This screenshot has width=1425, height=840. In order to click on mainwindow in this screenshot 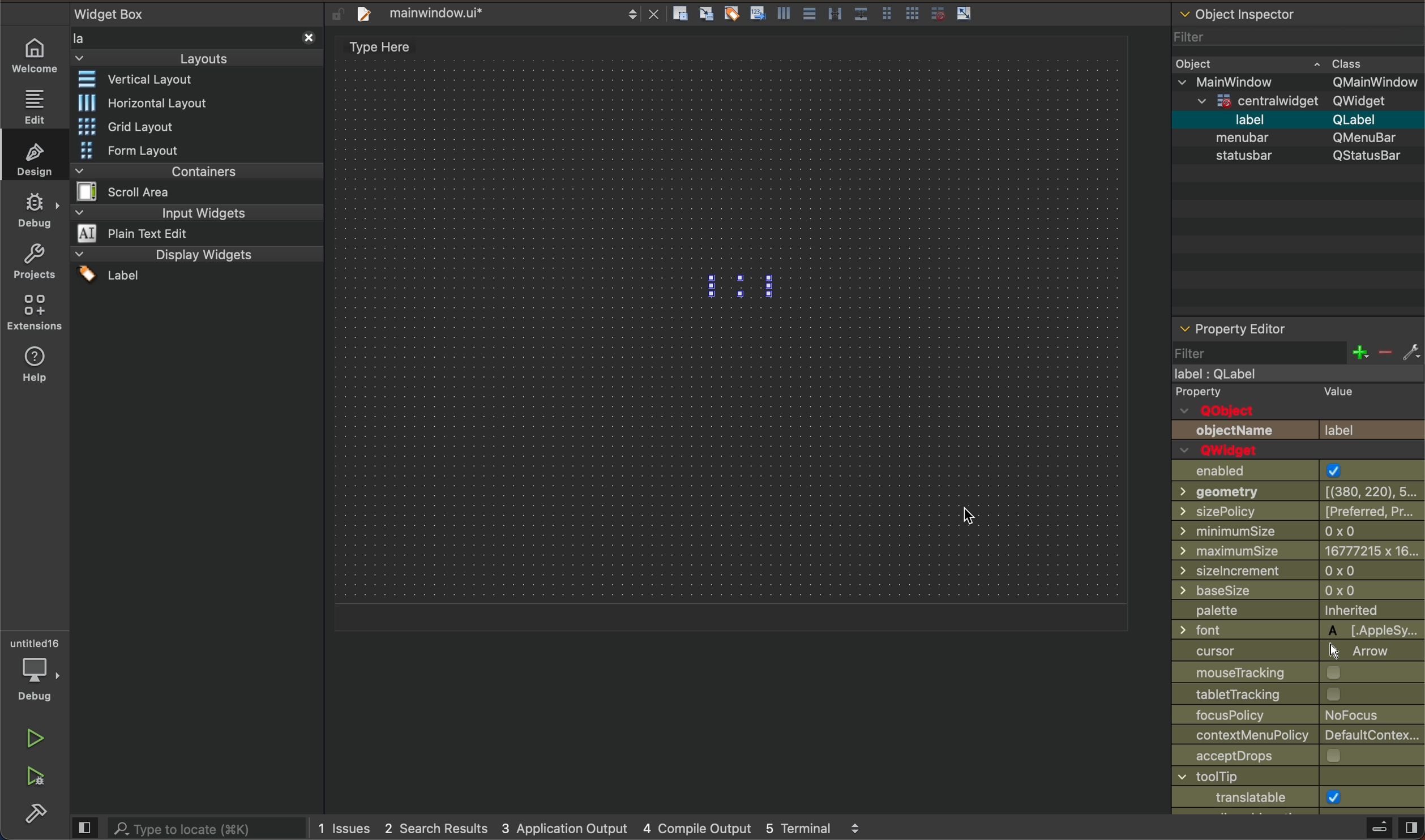, I will do `click(1300, 82)`.